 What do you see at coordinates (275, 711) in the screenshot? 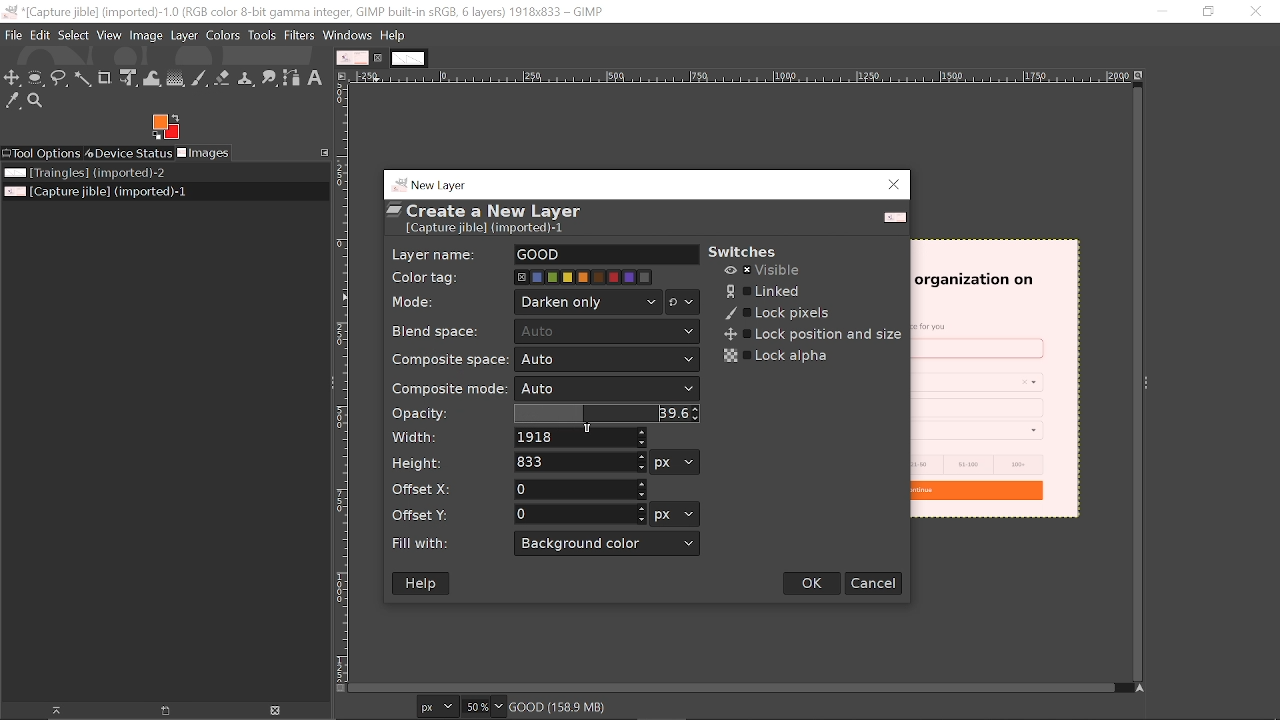
I see `Delete image` at bounding box center [275, 711].